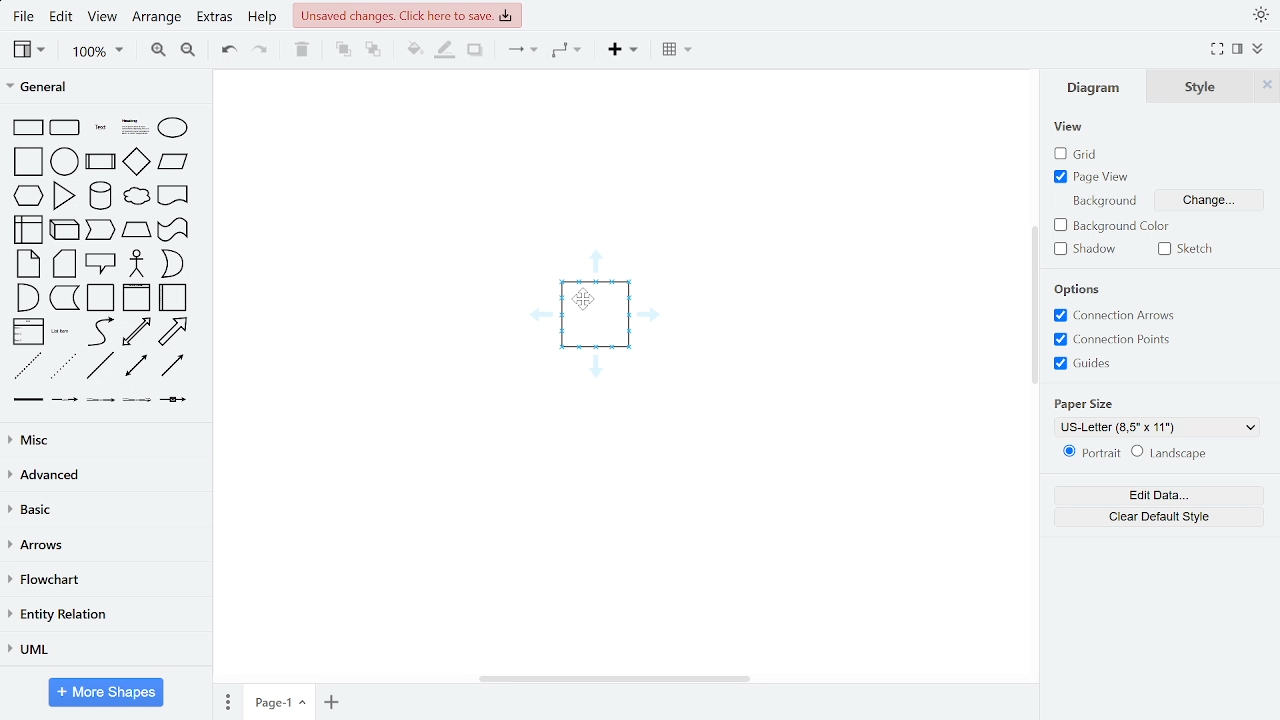 The image size is (1280, 720). I want to click on background color, so click(1113, 226).